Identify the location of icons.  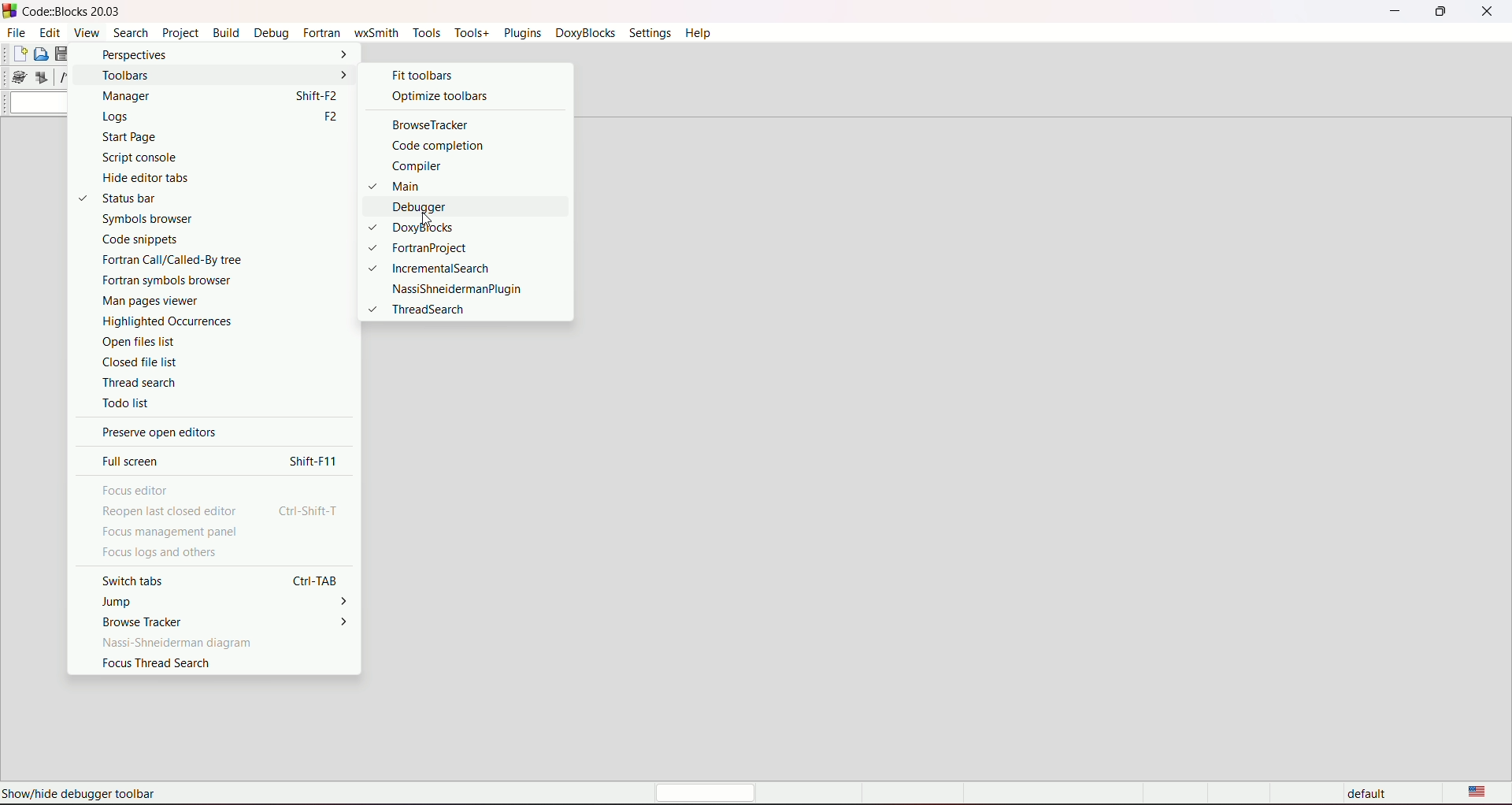
(38, 78).